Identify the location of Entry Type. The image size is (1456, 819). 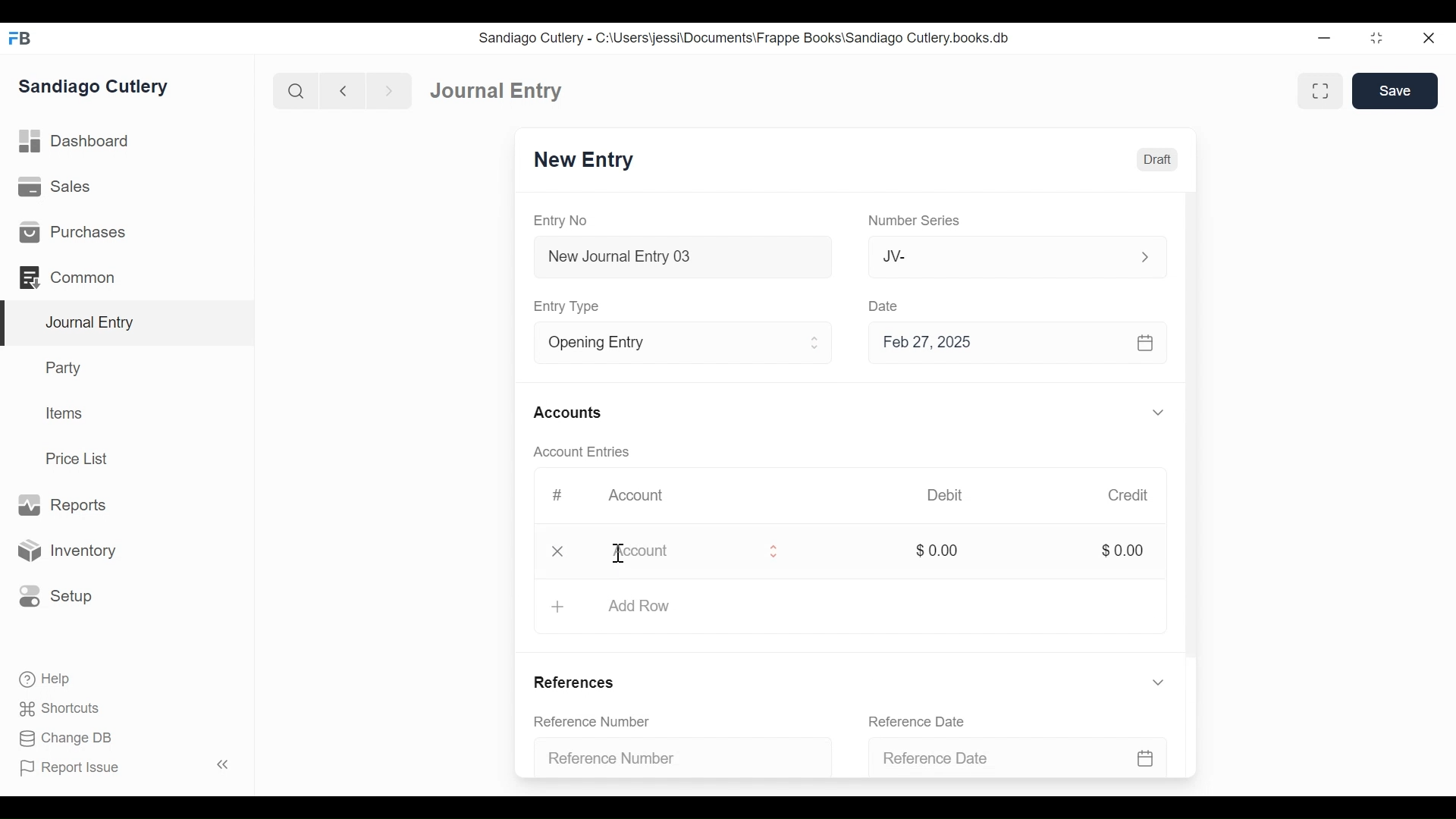
(570, 307).